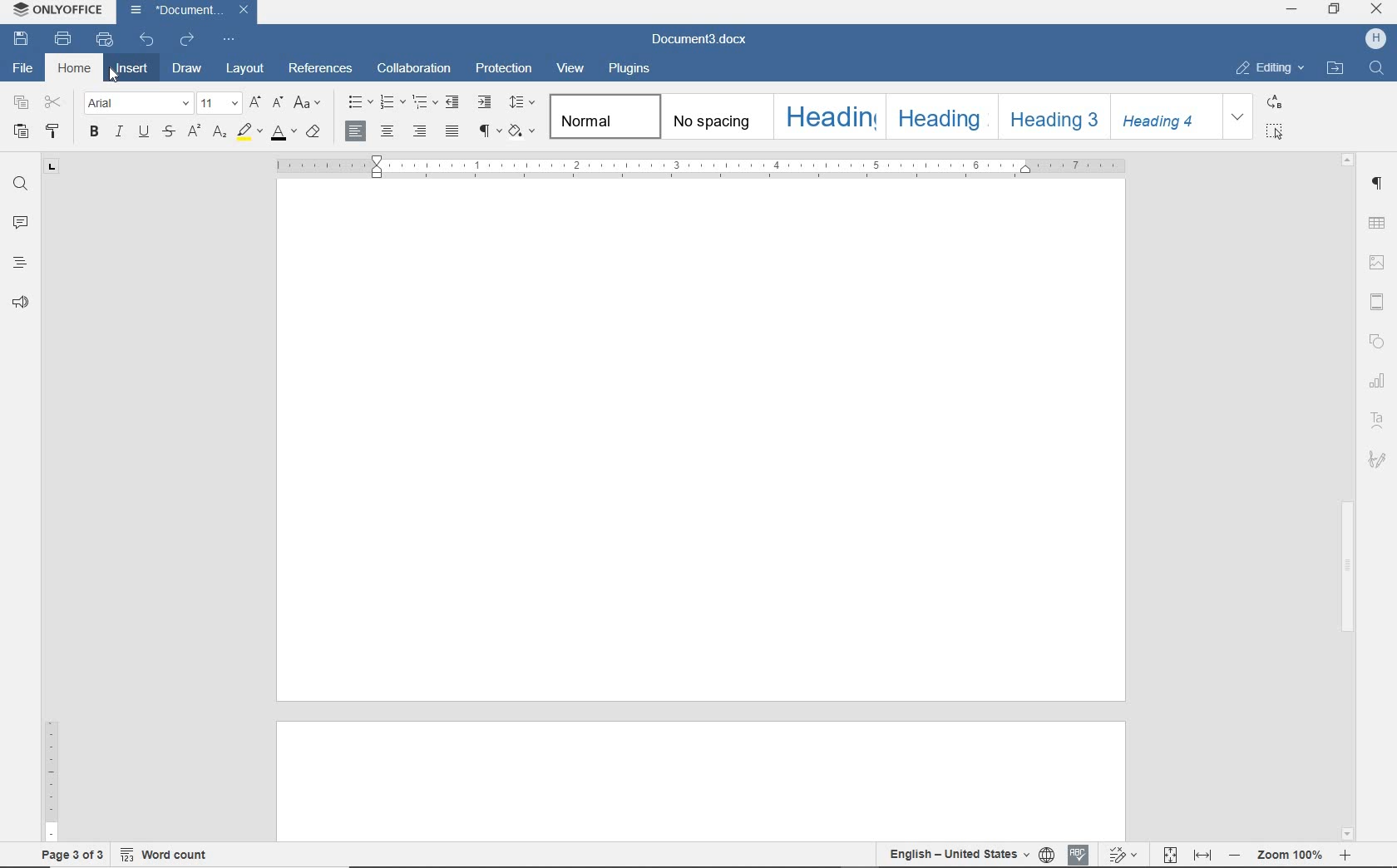  Describe the element at coordinates (1202, 855) in the screenshot. I see `FIT TO WIDTH` at that location.